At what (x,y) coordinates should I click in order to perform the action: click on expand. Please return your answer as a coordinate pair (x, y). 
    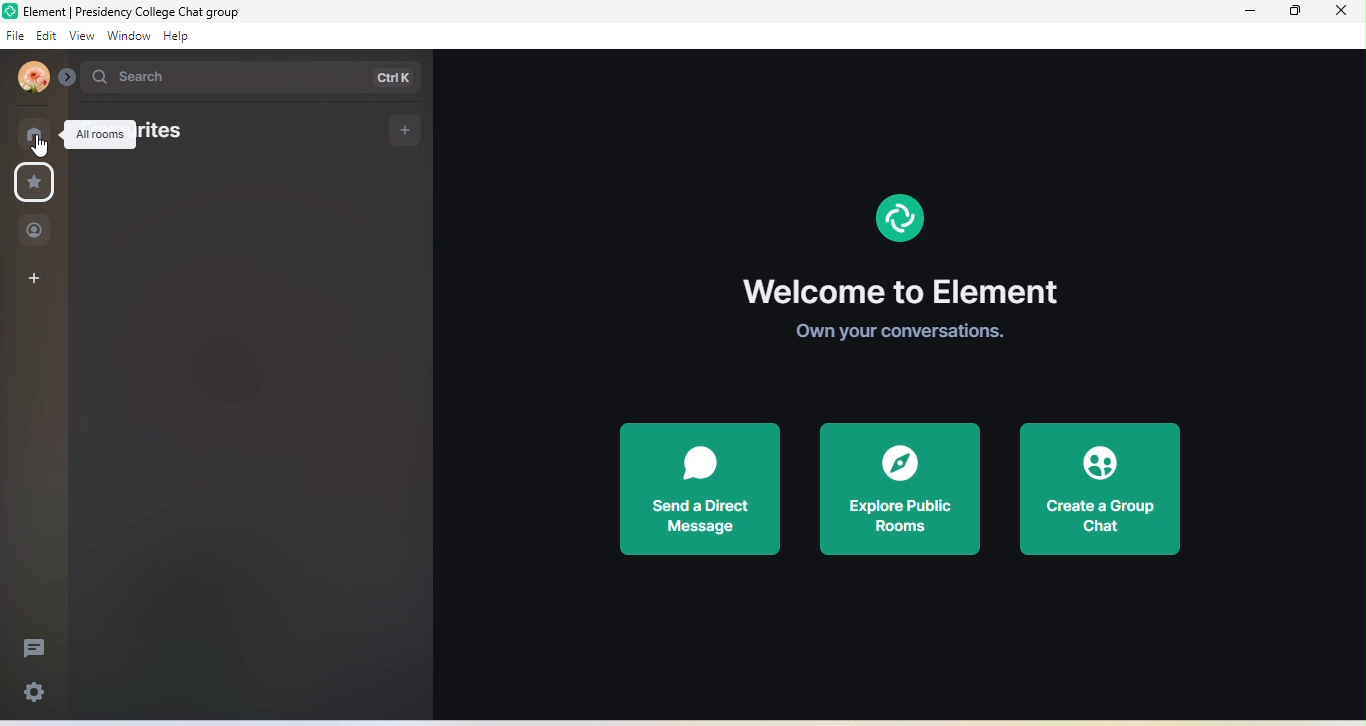
    Looking at the image, I should click on (68, 78).